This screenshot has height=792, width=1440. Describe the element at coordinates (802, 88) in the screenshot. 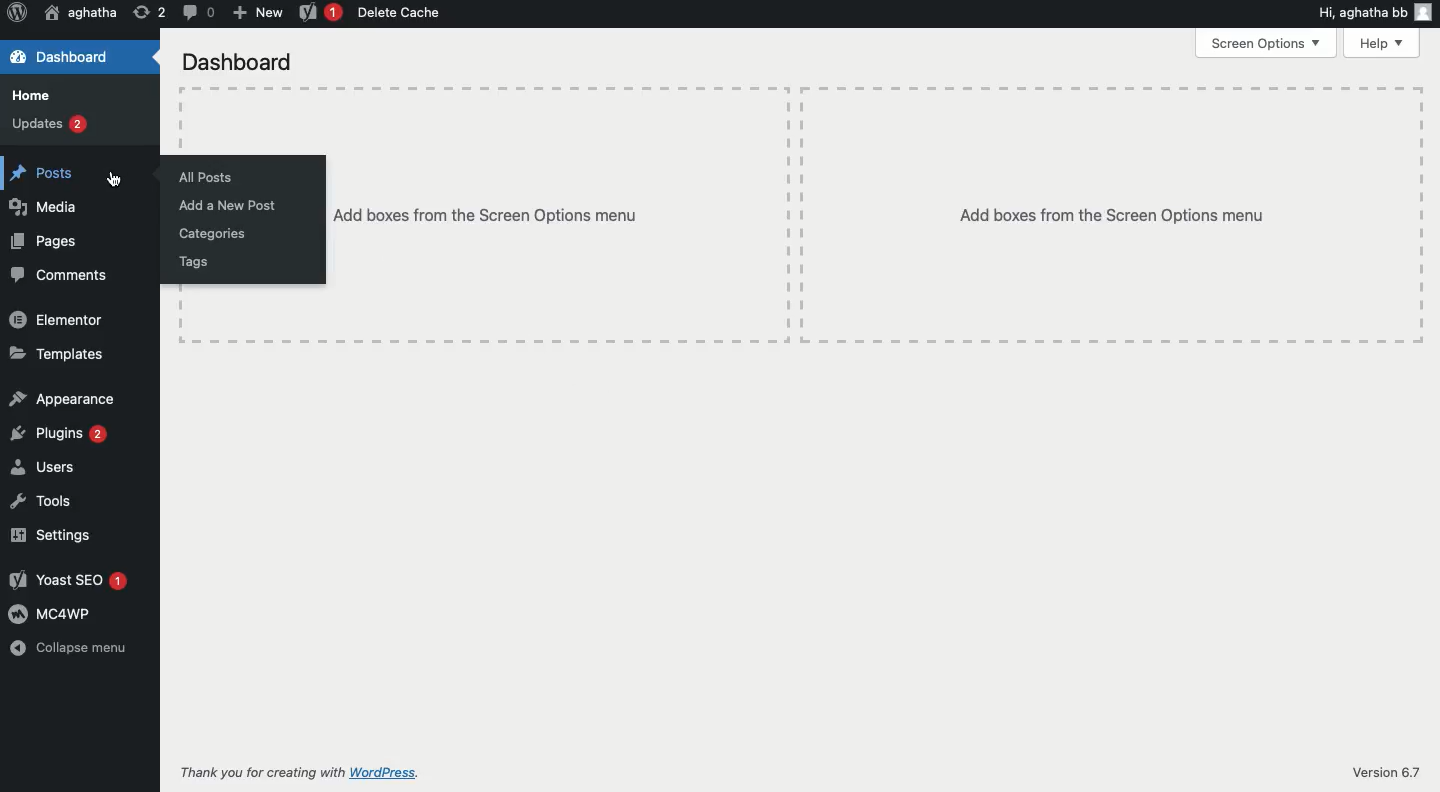

I see `Table line` at that location.